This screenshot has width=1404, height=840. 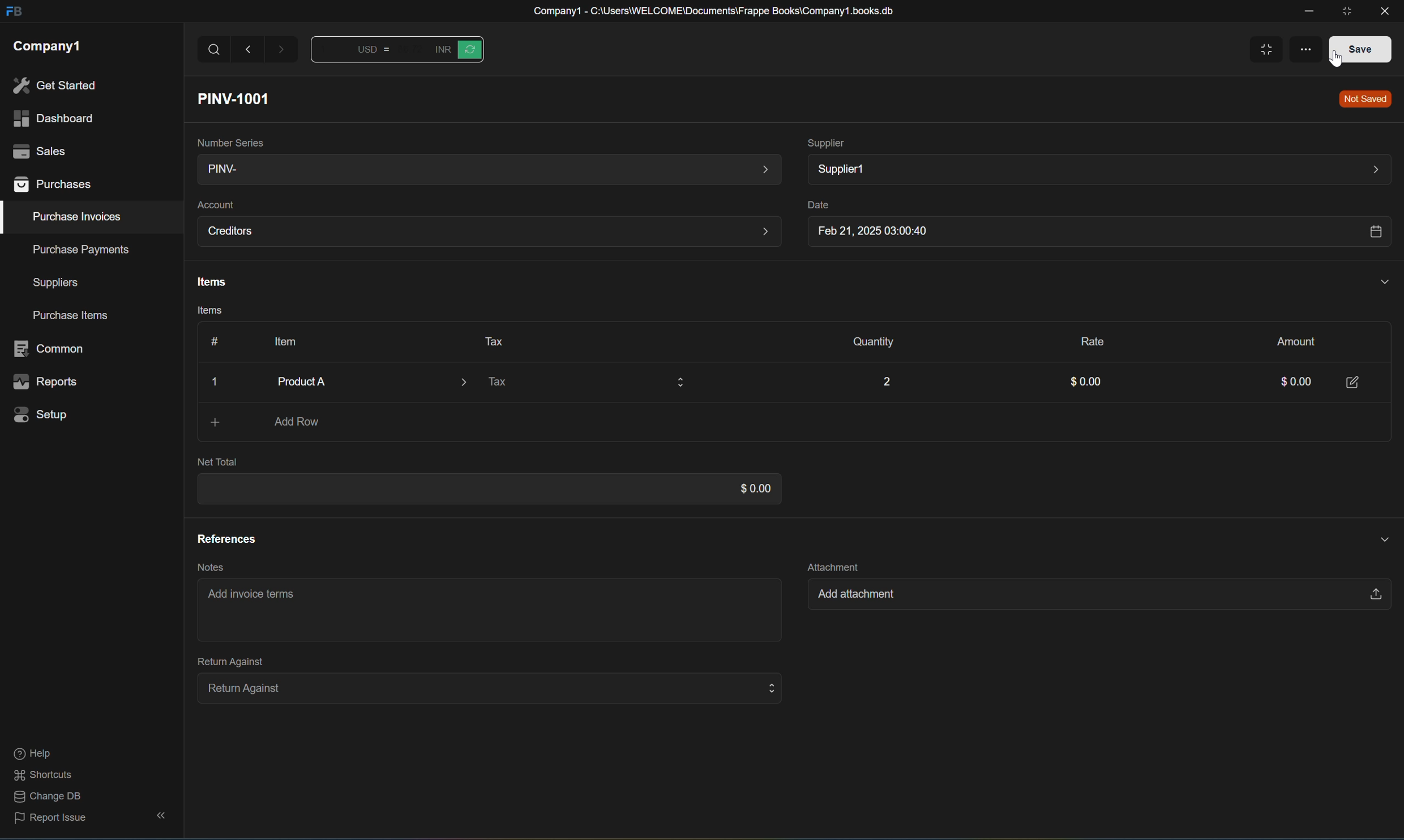 What do you see at coordinates (207, 567) in the screenshot?
I see `Notes` at bounding box center [207, 567].